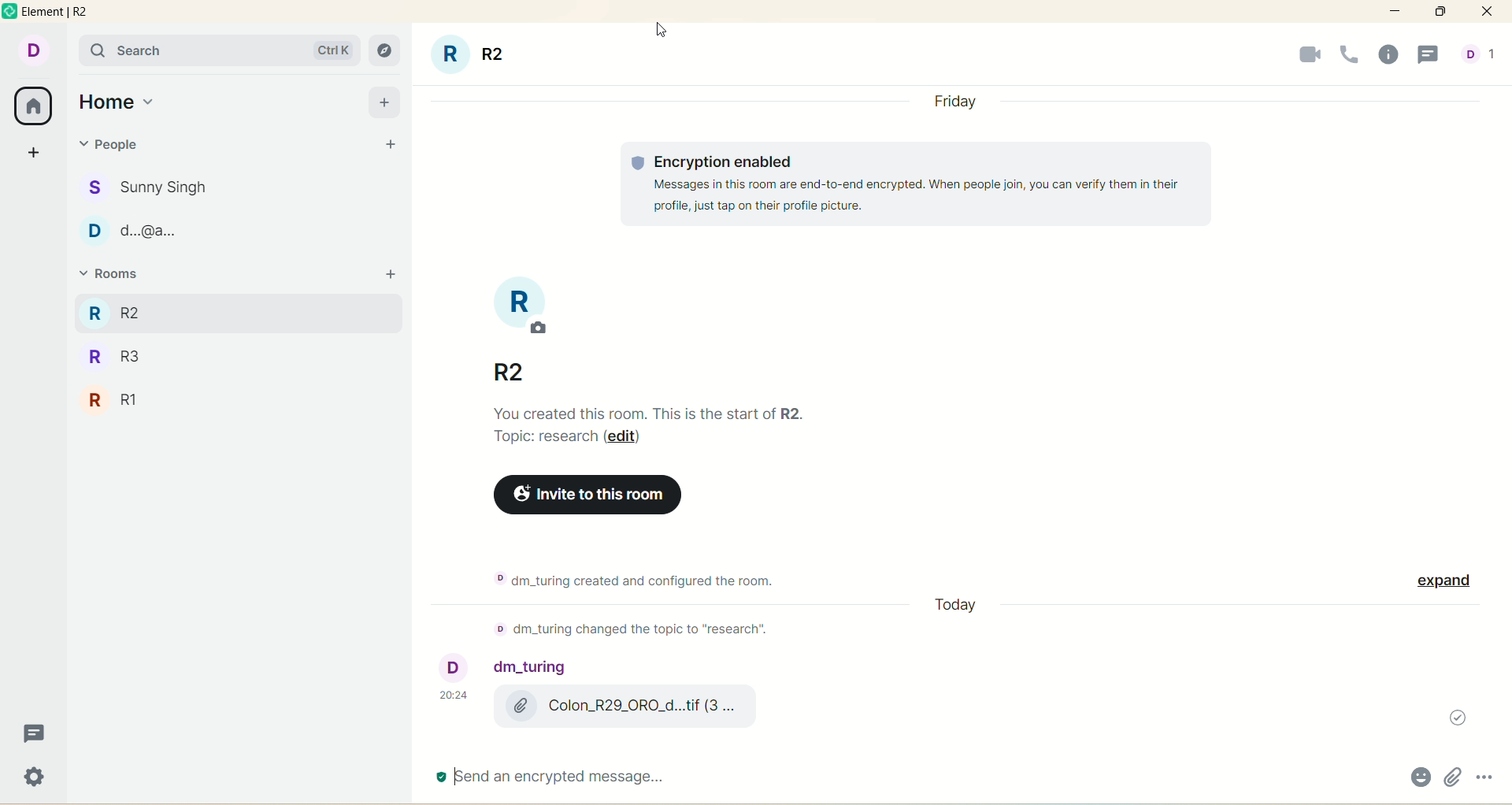 This screenshot has height=805, width=1512. Describe the element at coordinates (121, 276) in the screenshot. I see `rooms` at that location.